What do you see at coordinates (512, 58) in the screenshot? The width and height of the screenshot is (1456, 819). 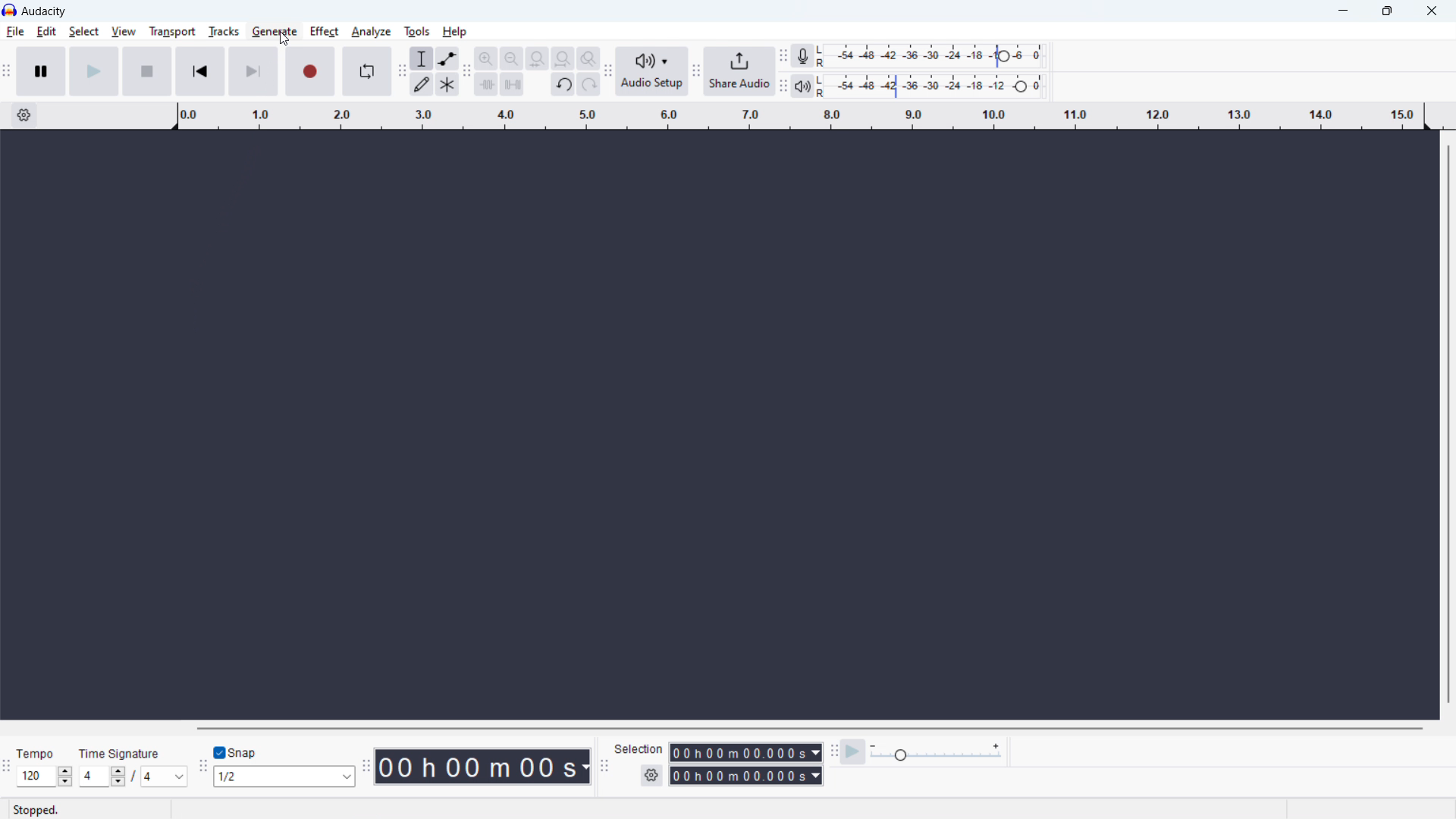 I see `zoom out` at bounding box center [512, 58].